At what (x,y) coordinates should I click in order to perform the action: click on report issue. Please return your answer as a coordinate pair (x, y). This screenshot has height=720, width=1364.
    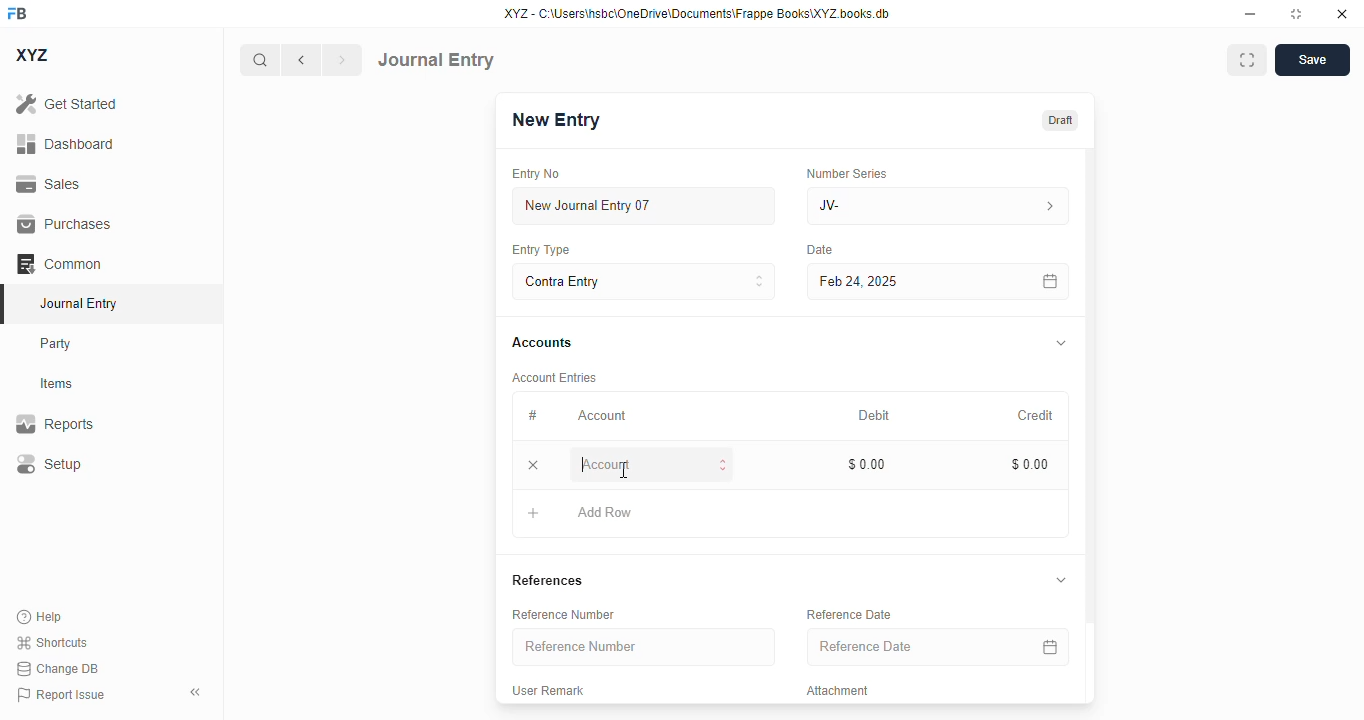
    Looking at the image, I should click on (61, 694).